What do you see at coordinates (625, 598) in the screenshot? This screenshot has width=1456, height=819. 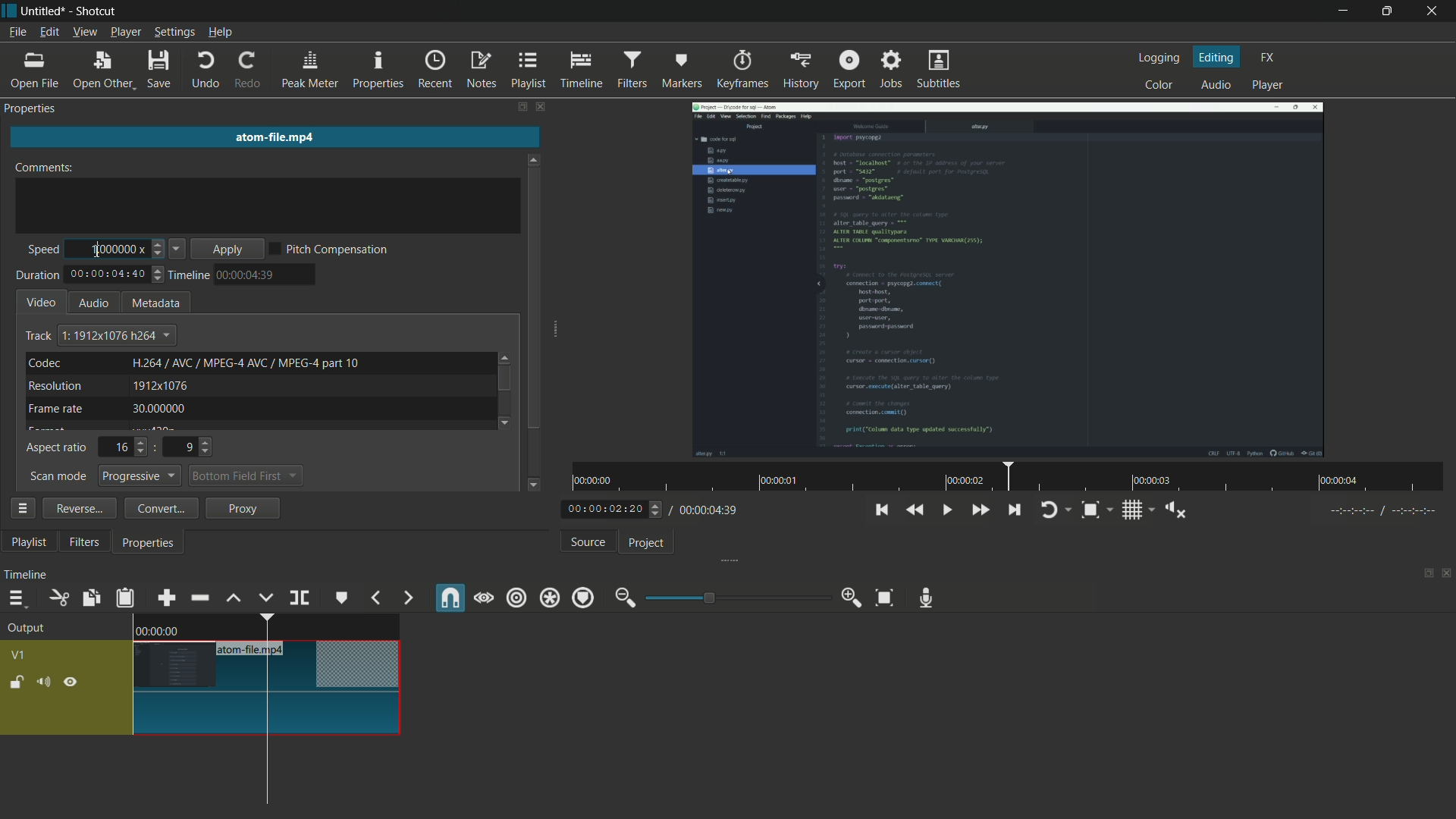 I see `zoom out` at bounding box center [625, 598].